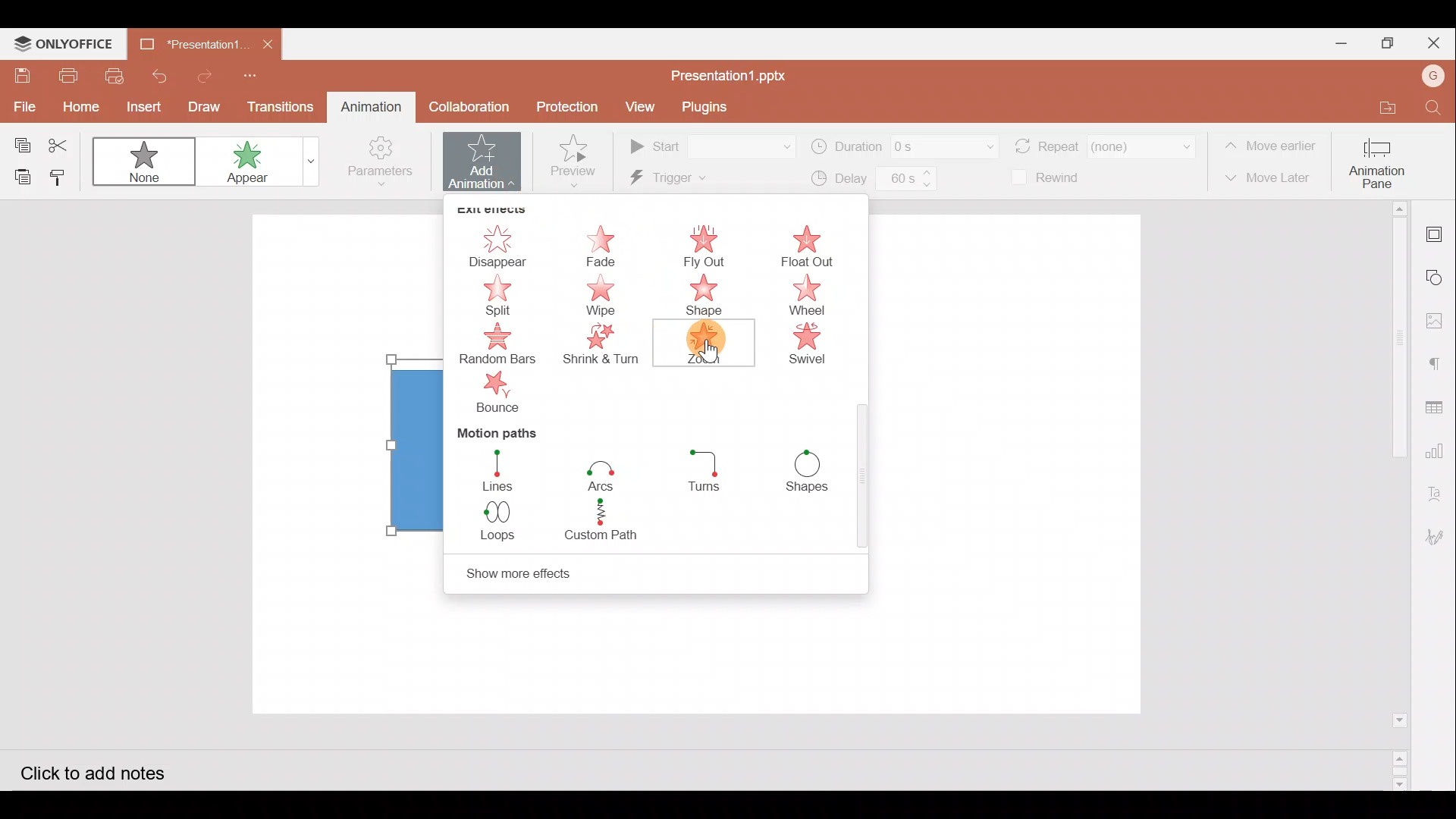 Image resolution: width=1456 pixels, height=819 pixels. Describe the element at coordinates (492, 432) in the screenshot. I see `Motion paths` at that location.